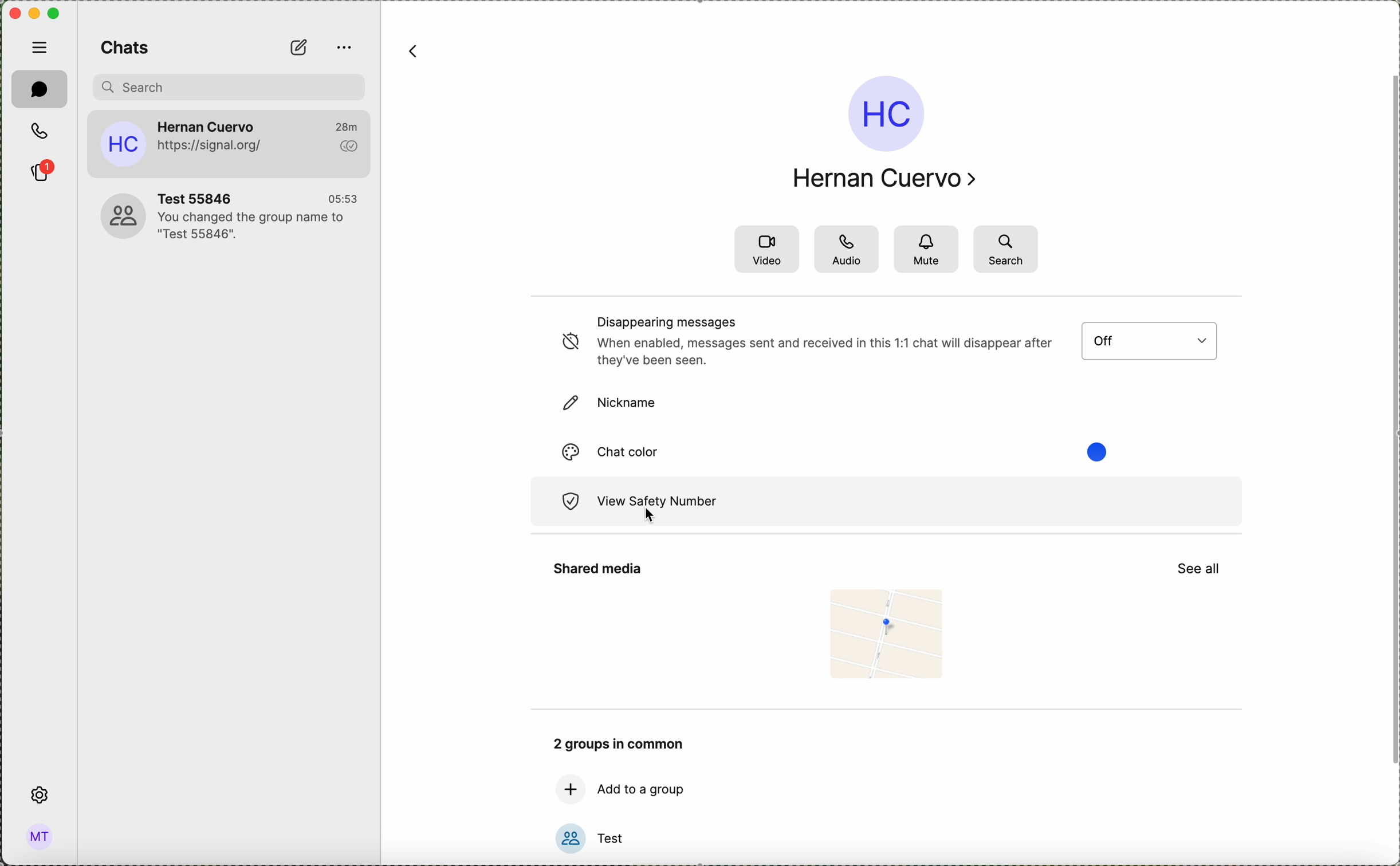 The image size is (1400, 866). Describe the element at coordinates (640, 789) in the screenshot. I see `add to a group` at that location.